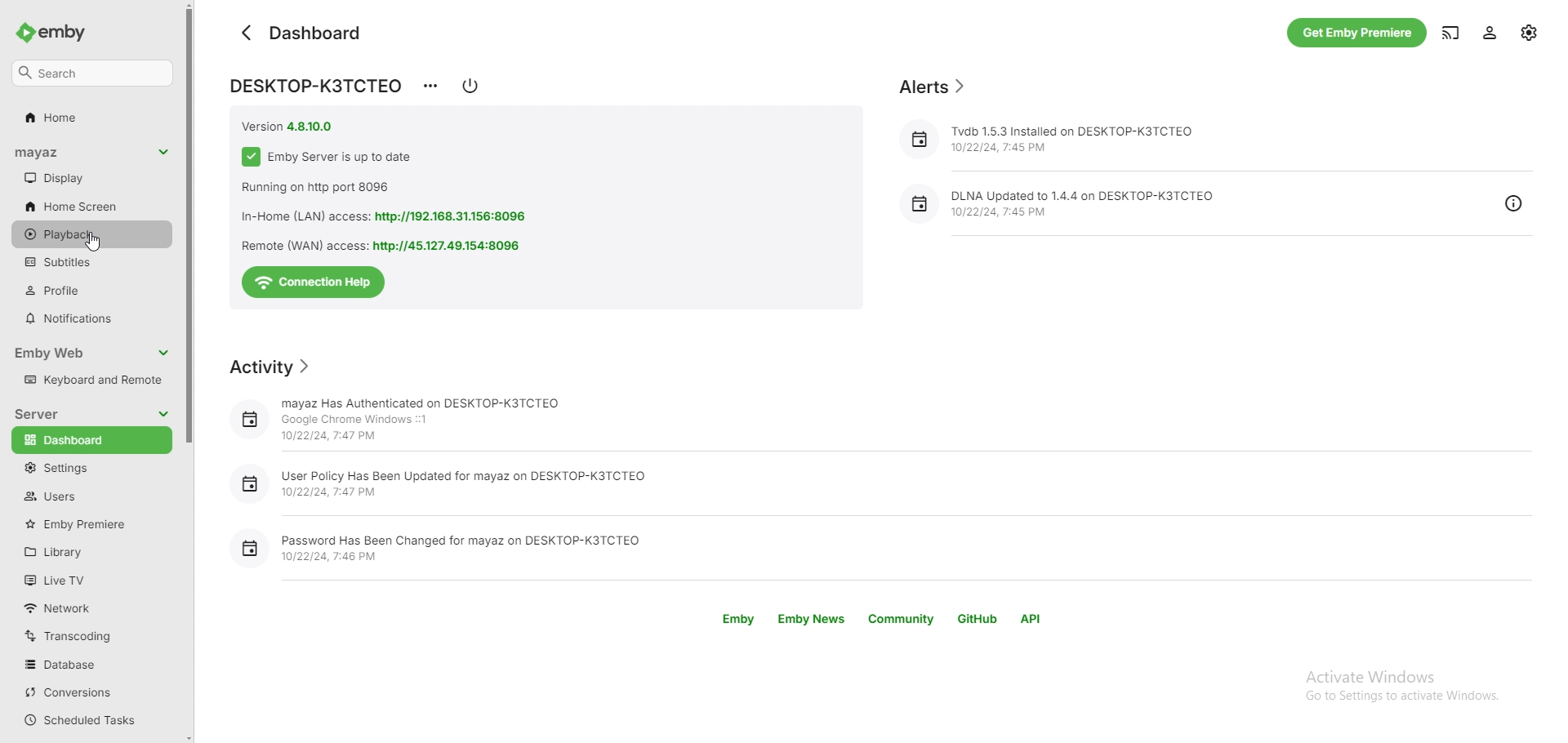 The image size is (1568, 743). What do you see at coordinates (1410, 686) in the screenshot?
I see `Activate Windows
Go to Settings to activate Windows.` at bounding box center [1410, 686].